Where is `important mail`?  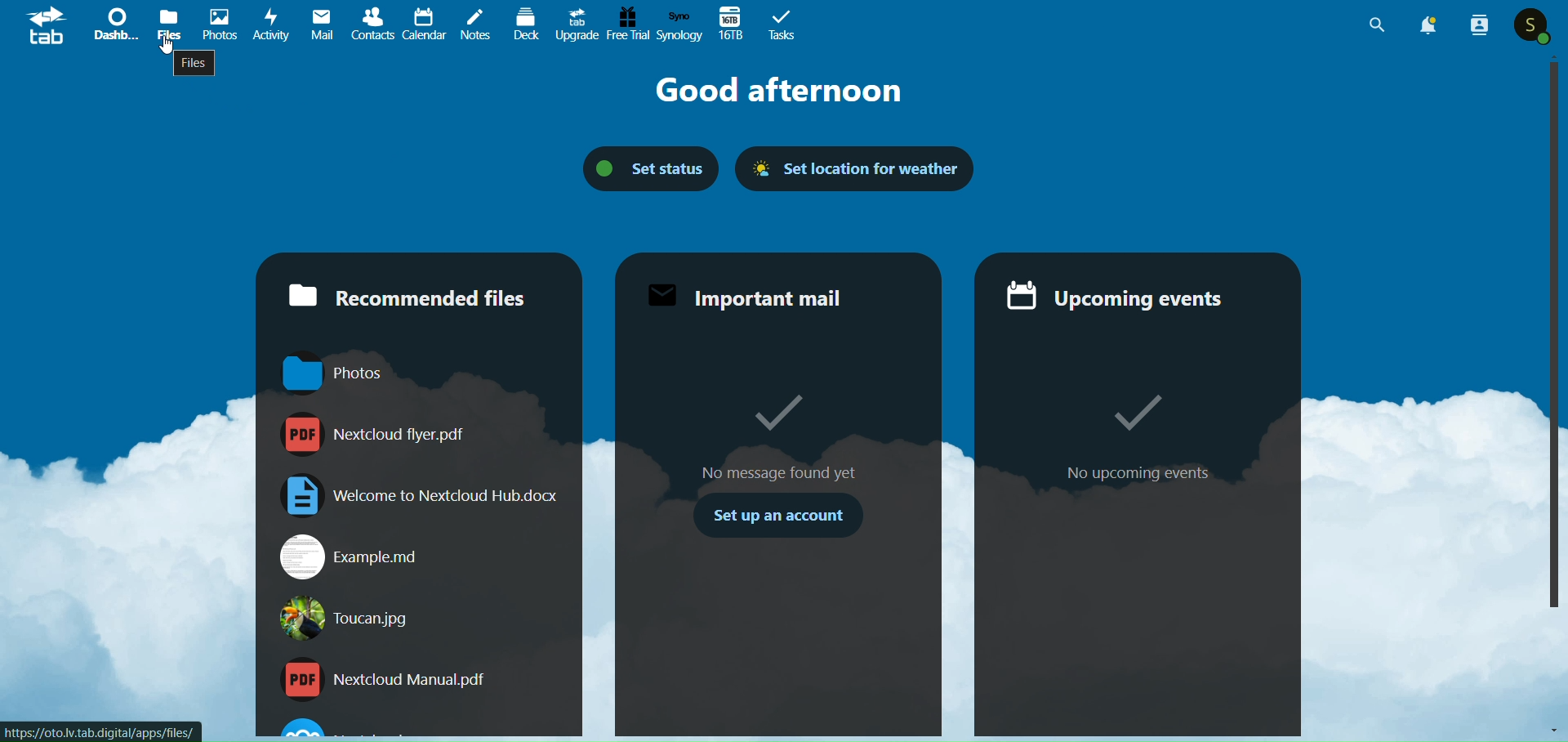
important mail is located at coordinates (769, 296).